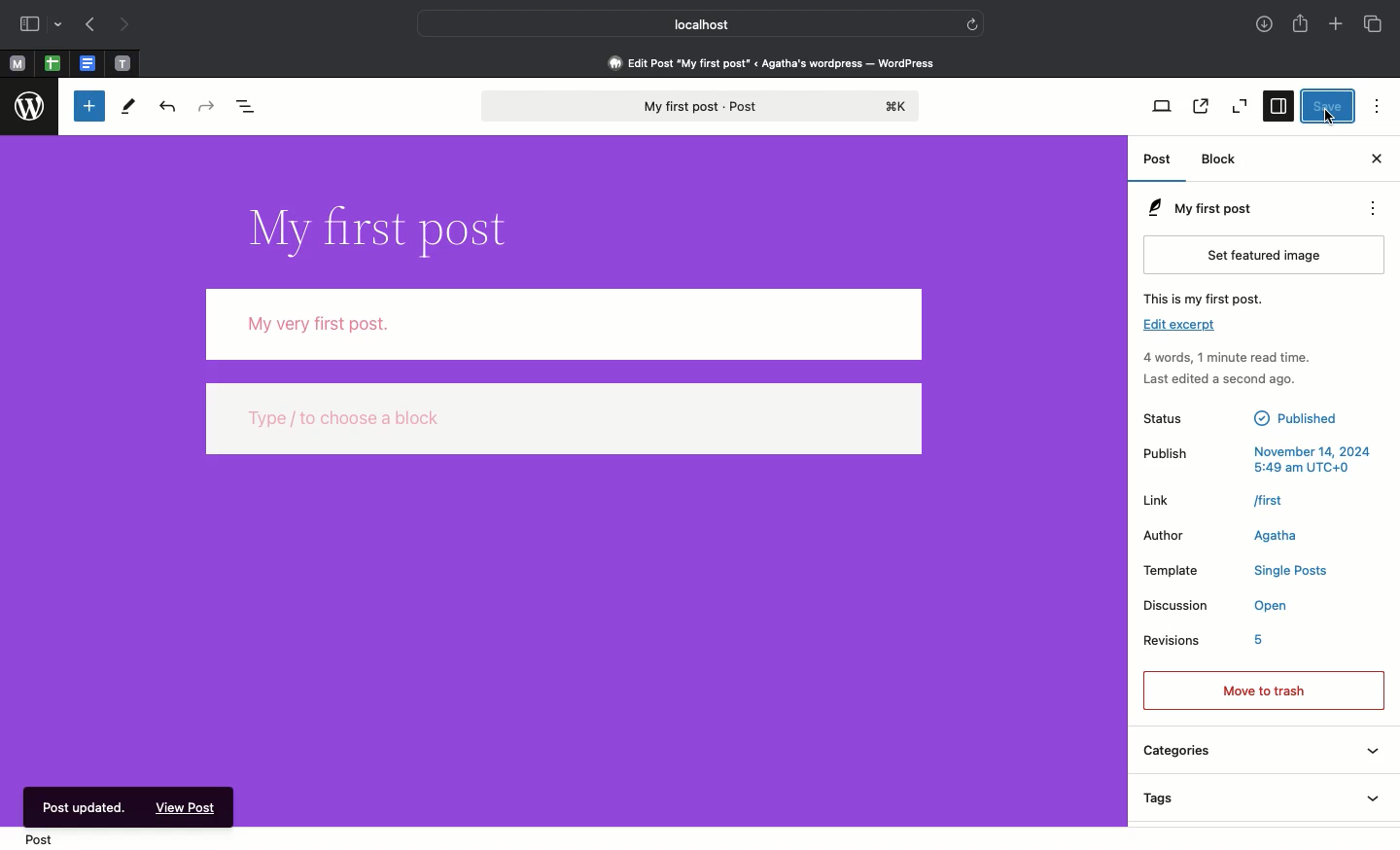 This screenshot has height=850, width=1400. What do you see at coordinates (1372, 23) in the screenshot?
I see `Tabs` at bounding box center [1372, 23].